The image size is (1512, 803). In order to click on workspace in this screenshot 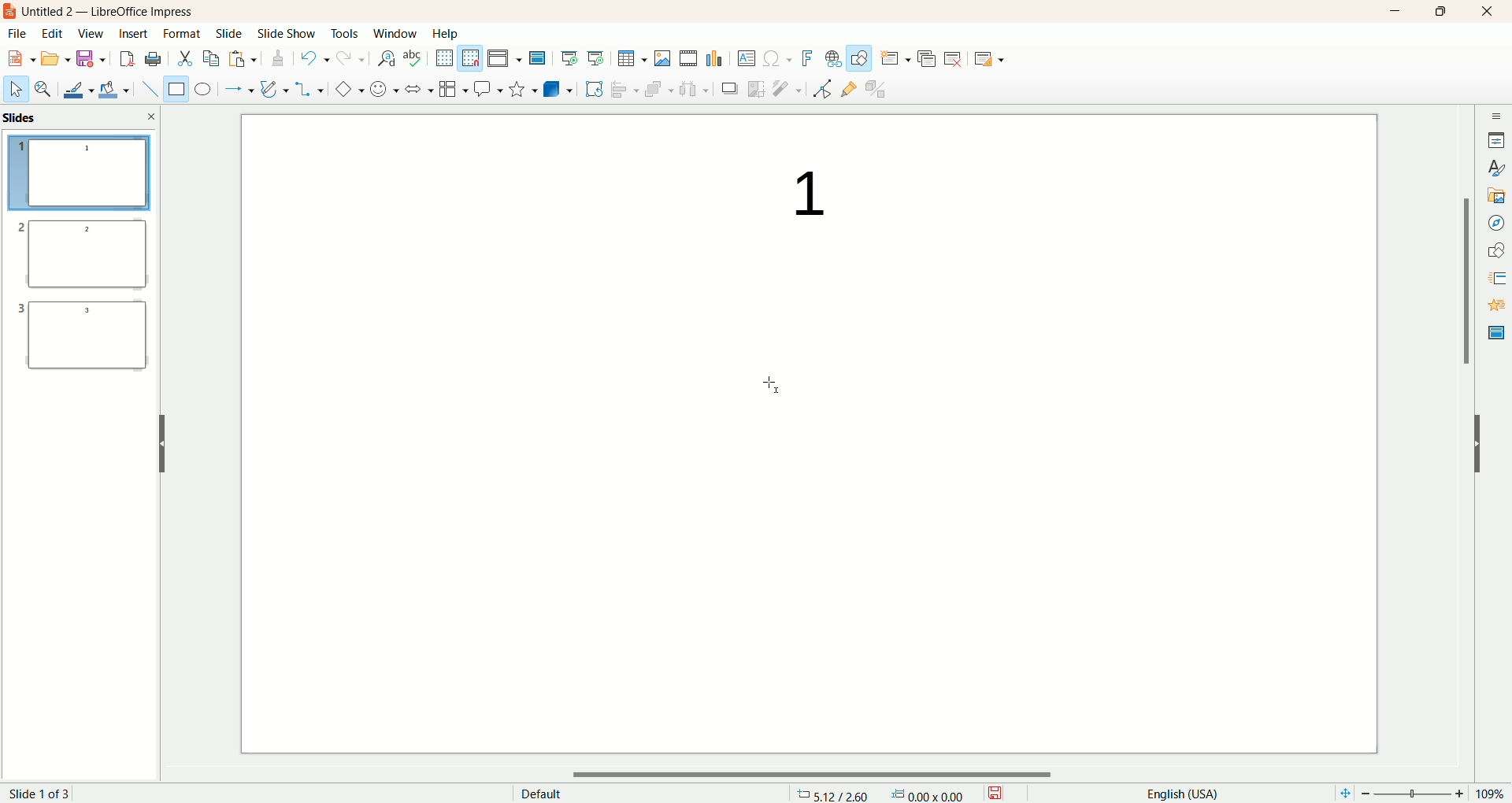, I will do `click(558, 477)`.